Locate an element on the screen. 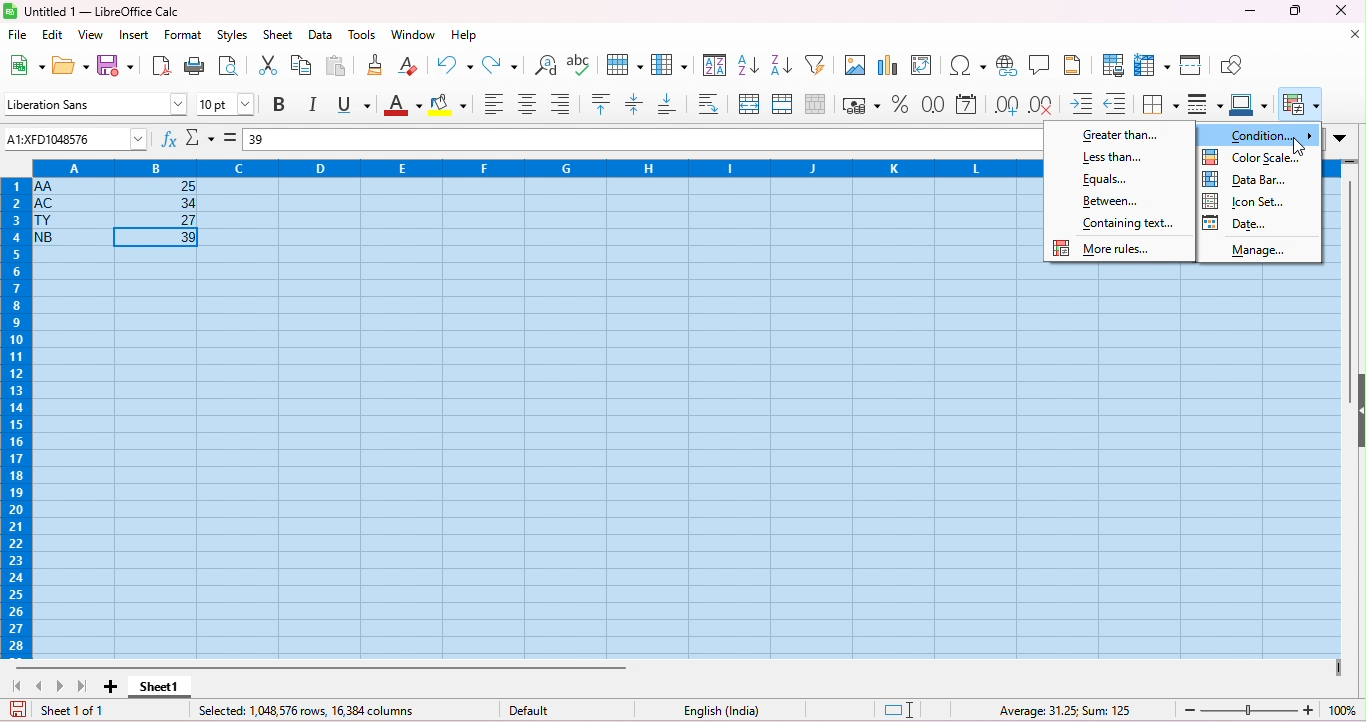 The height and width of the screenshot is (722, 1366). border style is located at coordinates (1206, 103).